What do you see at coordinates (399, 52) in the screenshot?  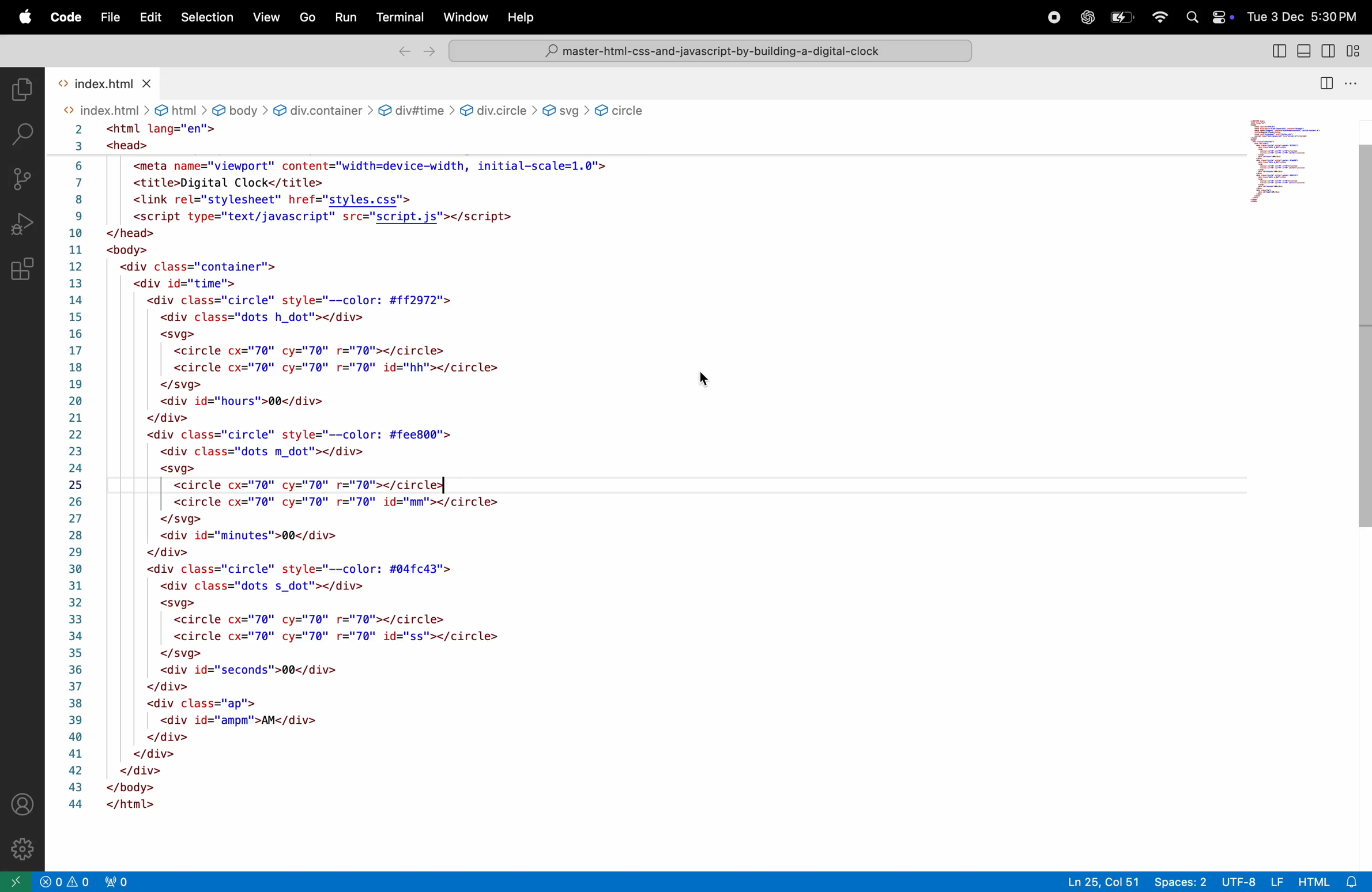 I see `forward` at bounding box center [399, 52].